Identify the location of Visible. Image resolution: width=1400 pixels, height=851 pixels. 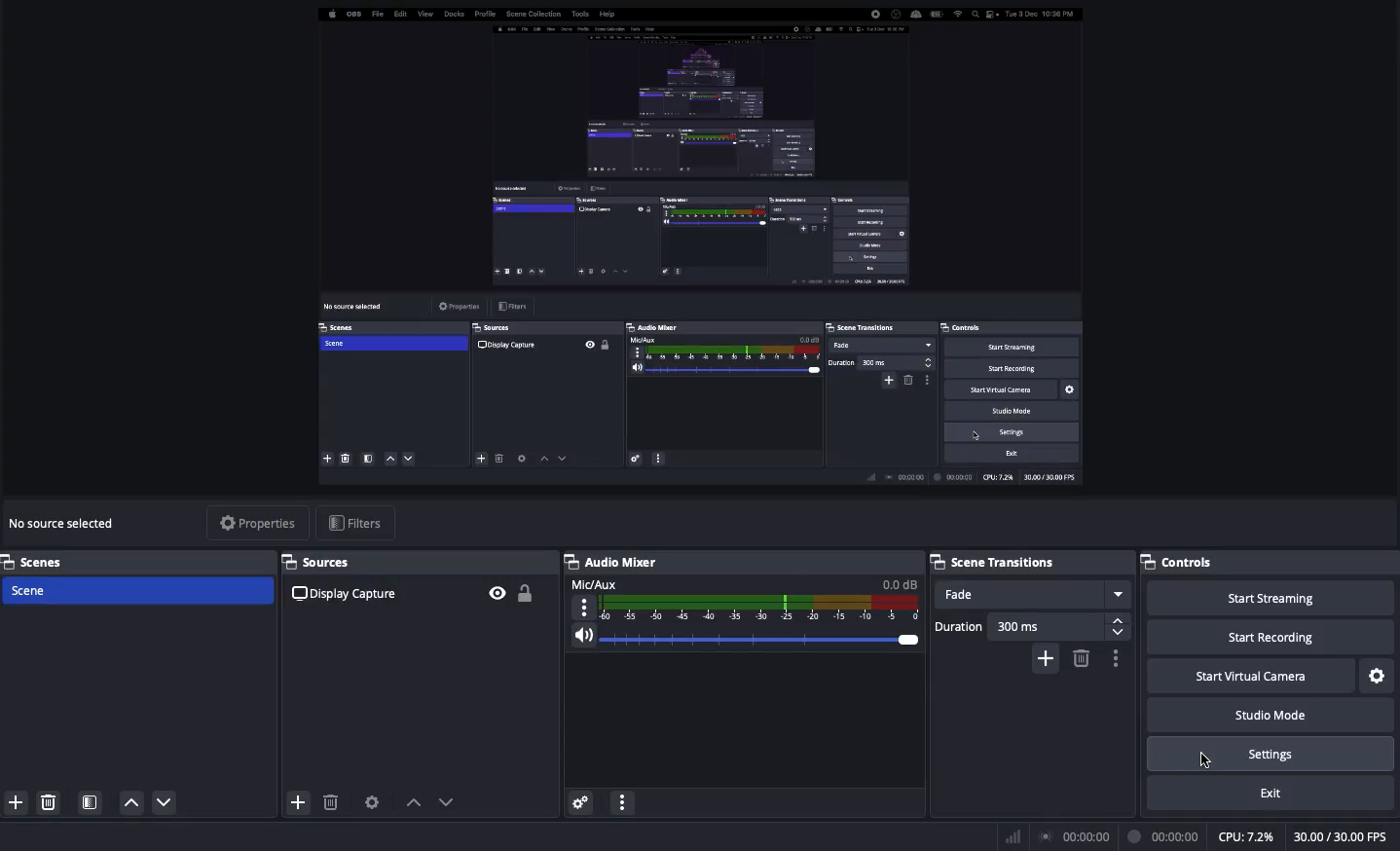
(497, 594).